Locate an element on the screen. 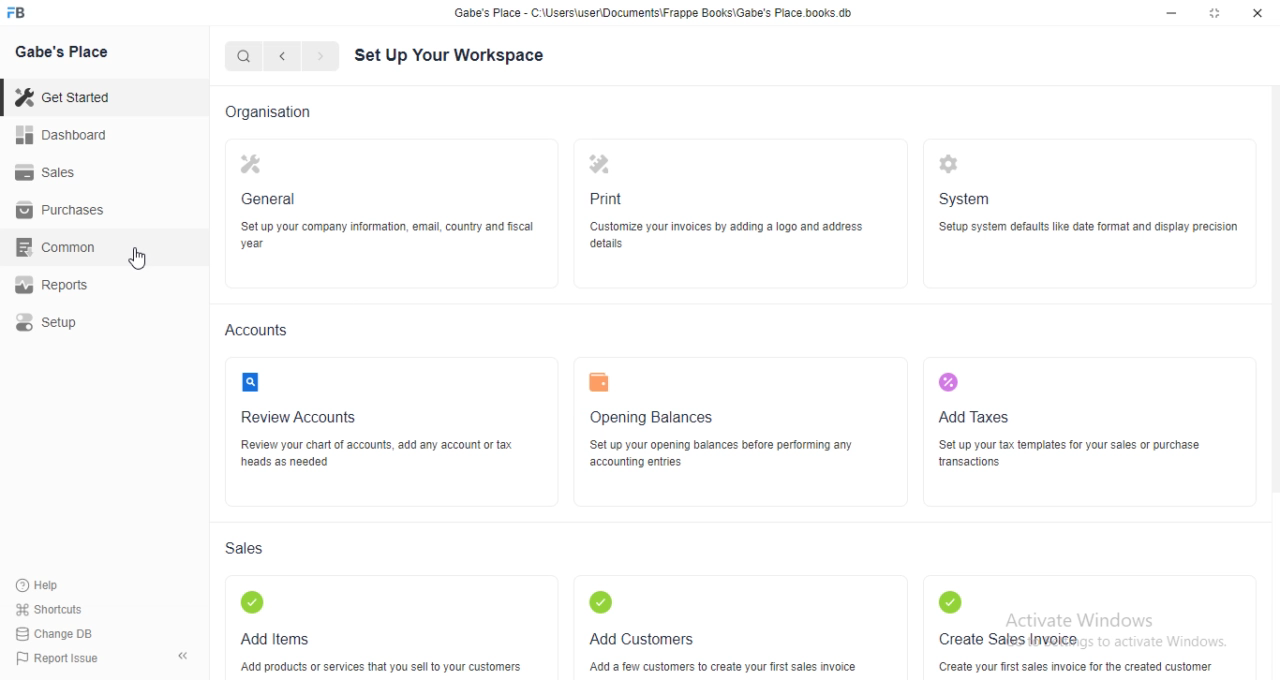  Search is located at coordinates (239, 57).